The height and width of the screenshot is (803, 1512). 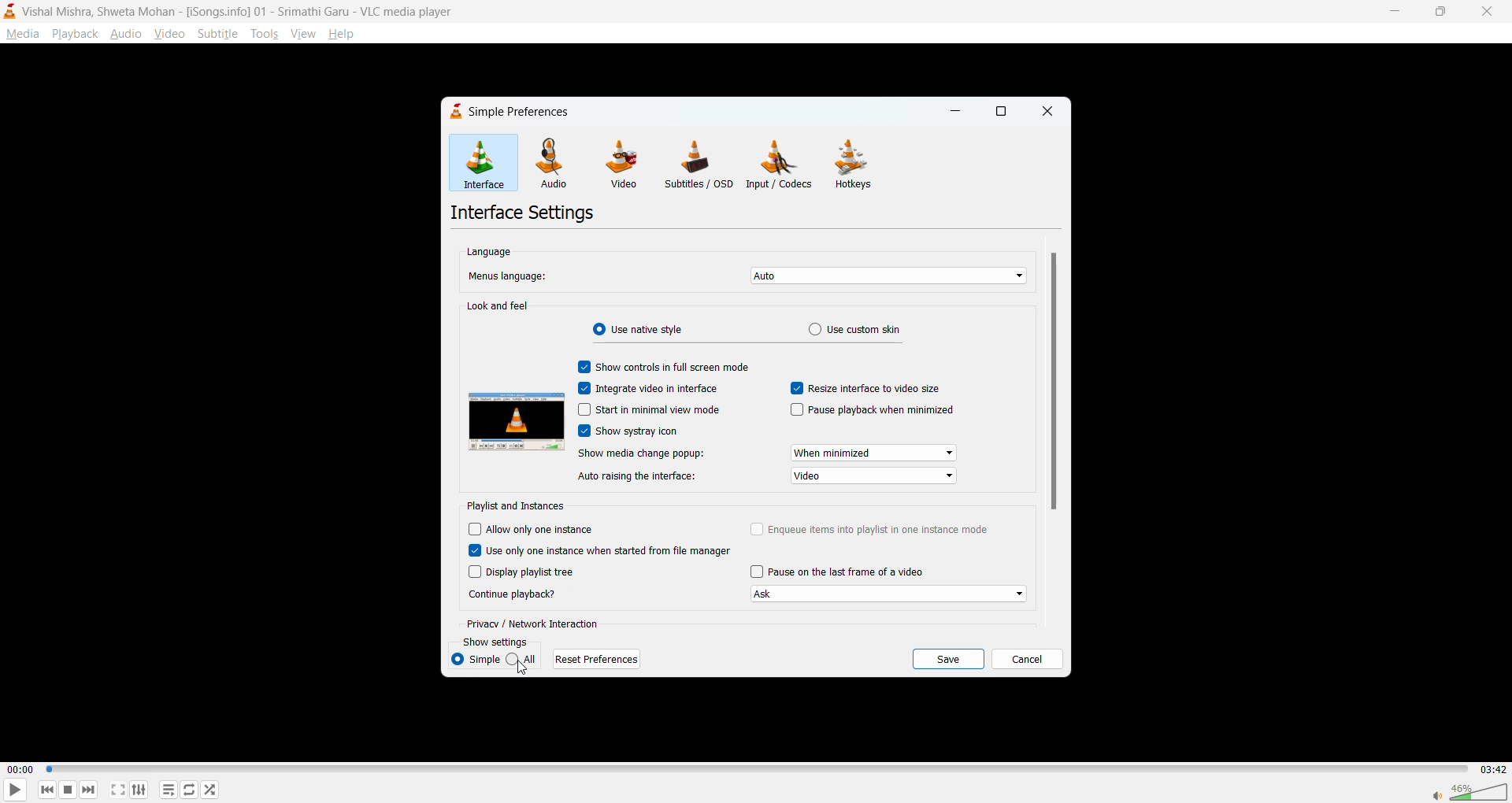 What do you see at coordinates (513, 113) in the screenshot?
I see `simple preferences` at bounding box center [513, 113].